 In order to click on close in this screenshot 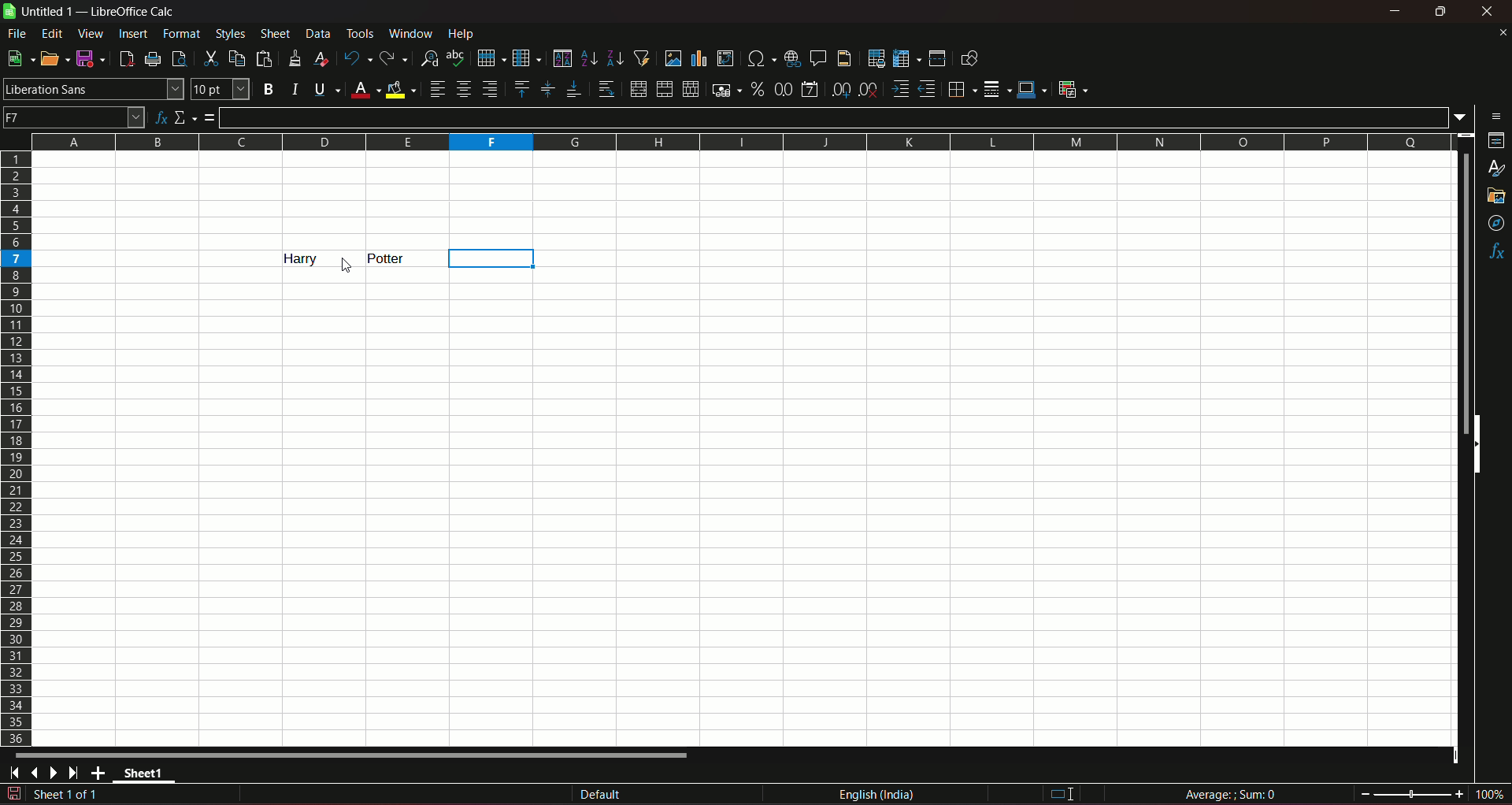, I will do `click(1490, 11)`.